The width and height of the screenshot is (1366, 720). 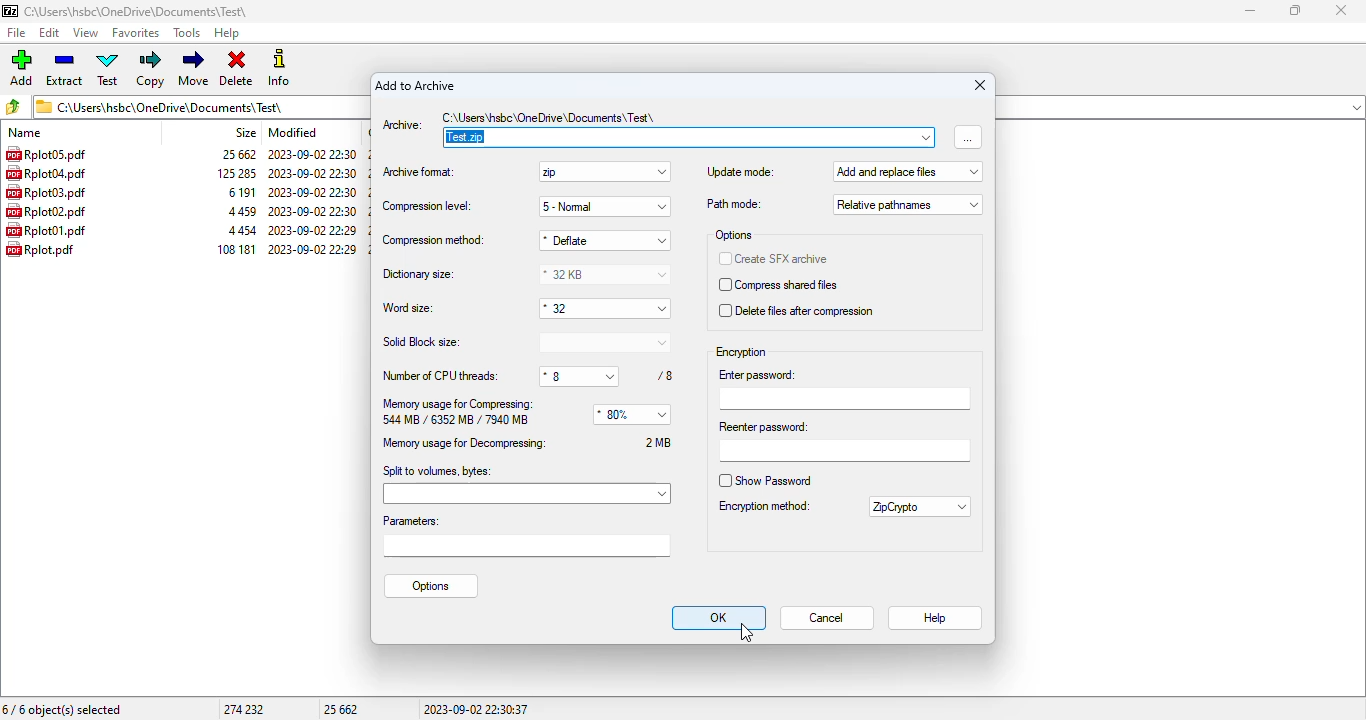 I want to click on zip, so click(x=604, y=172).